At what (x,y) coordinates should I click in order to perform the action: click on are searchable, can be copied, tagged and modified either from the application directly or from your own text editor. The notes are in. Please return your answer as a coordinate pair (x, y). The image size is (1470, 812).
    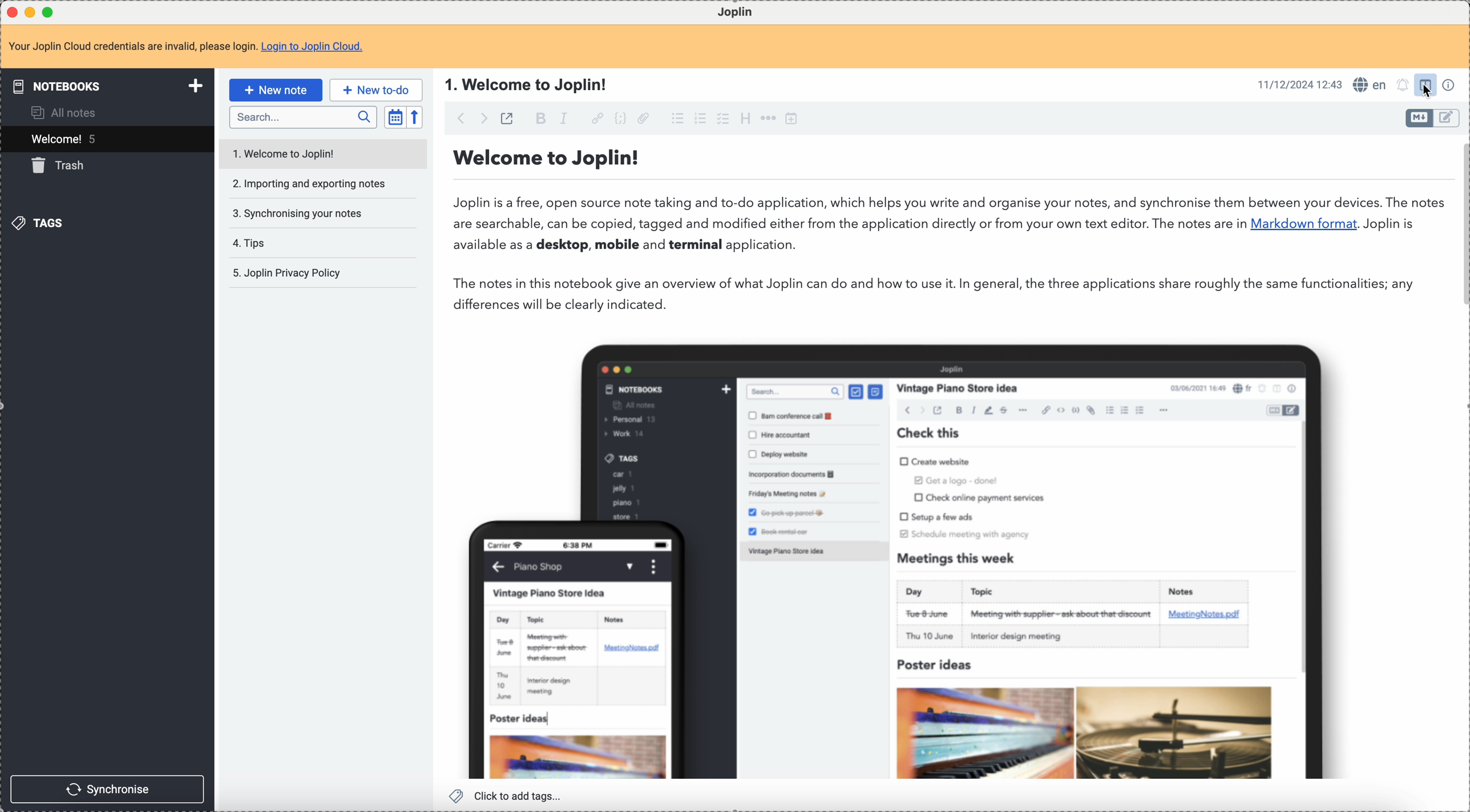
    Looking at the image, I should click on (849, 225).